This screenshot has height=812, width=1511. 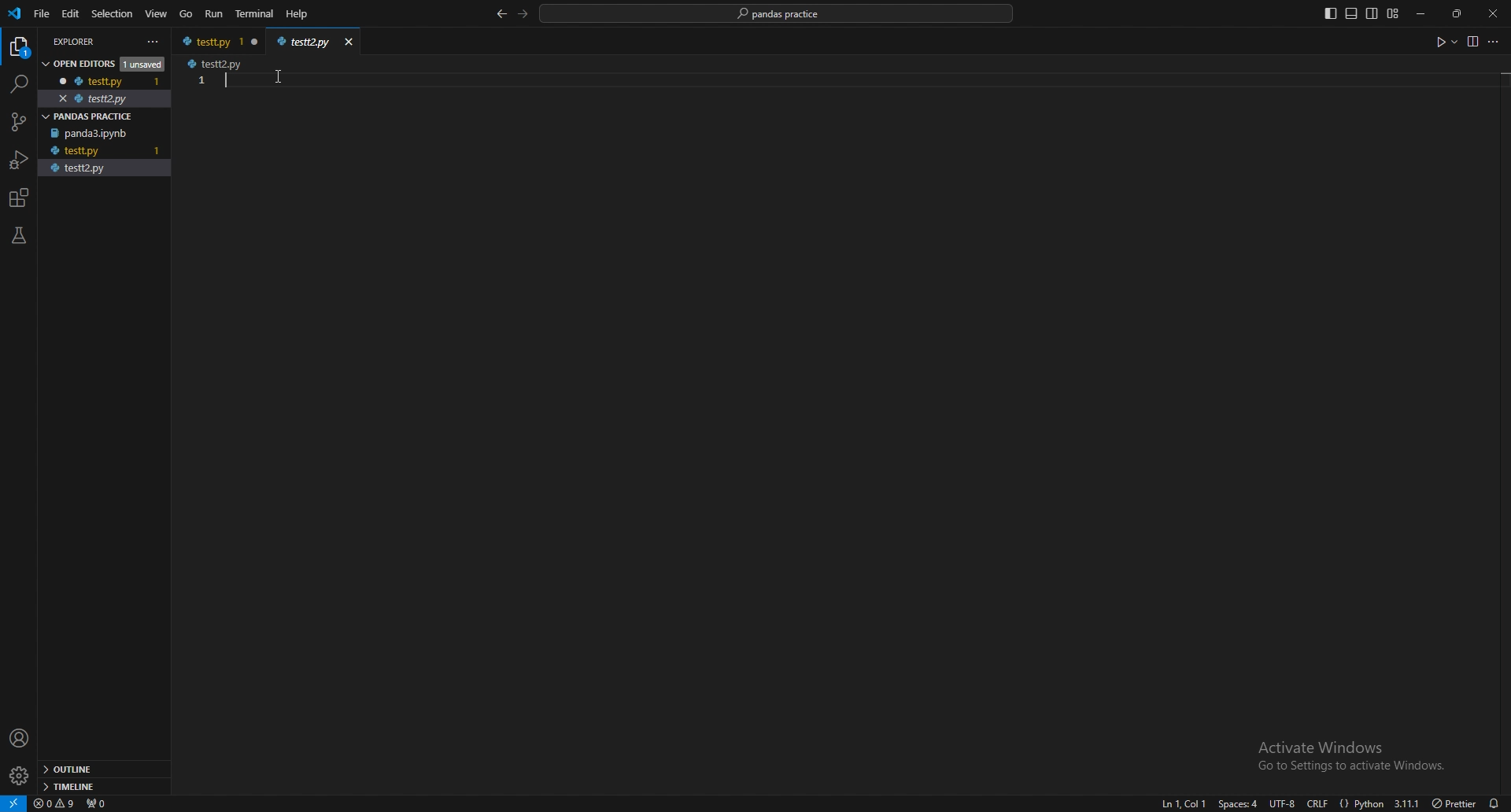 What do you see at coordinates (97, 134) in the screenshot?
I see `panda3.ipynb` at bounding box center [97, 134].